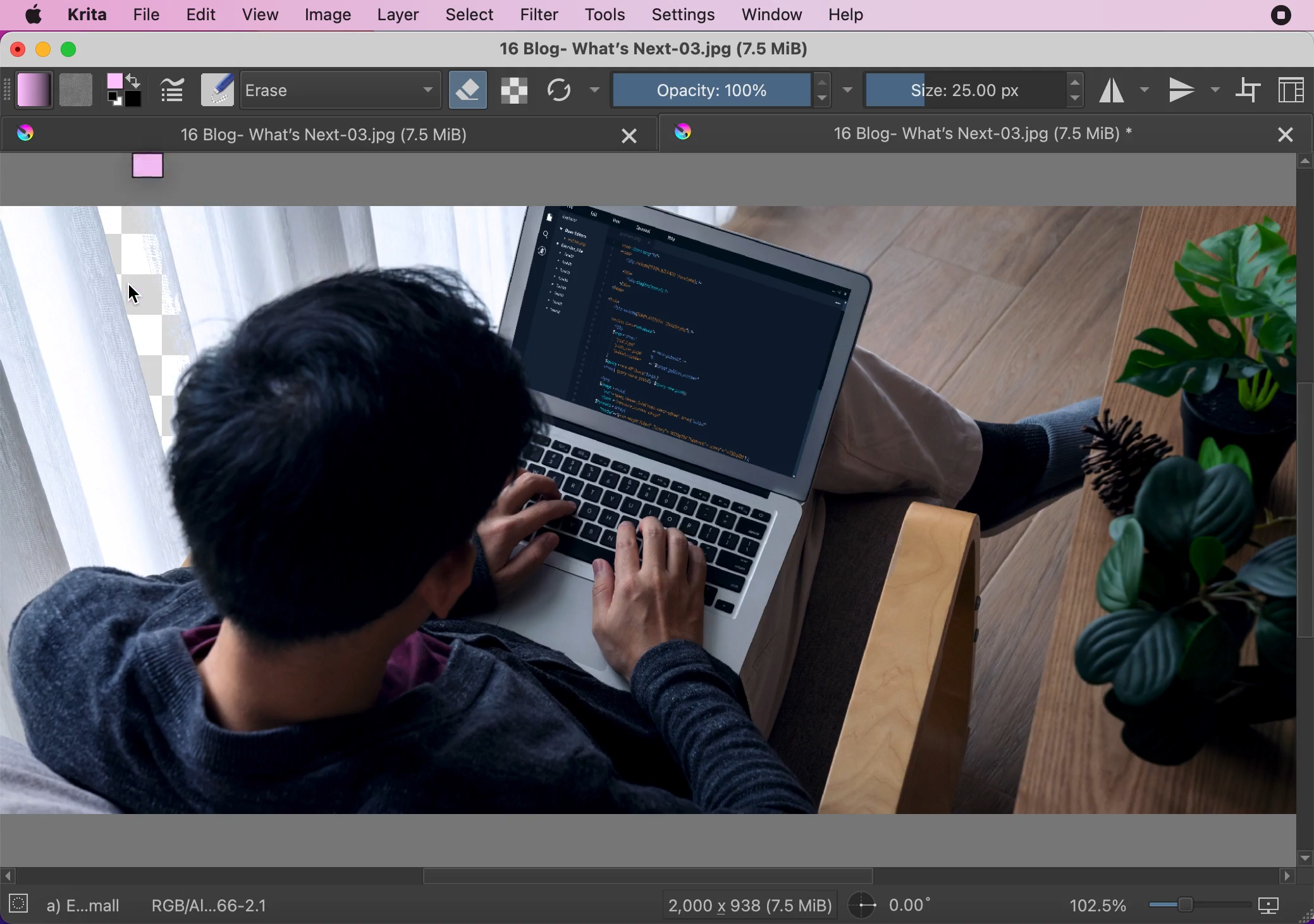 The image size is (1314, 924). Describe the element at coordinates (1191, 90) in the screenshot. I see `vertical mirror tool` at that location.